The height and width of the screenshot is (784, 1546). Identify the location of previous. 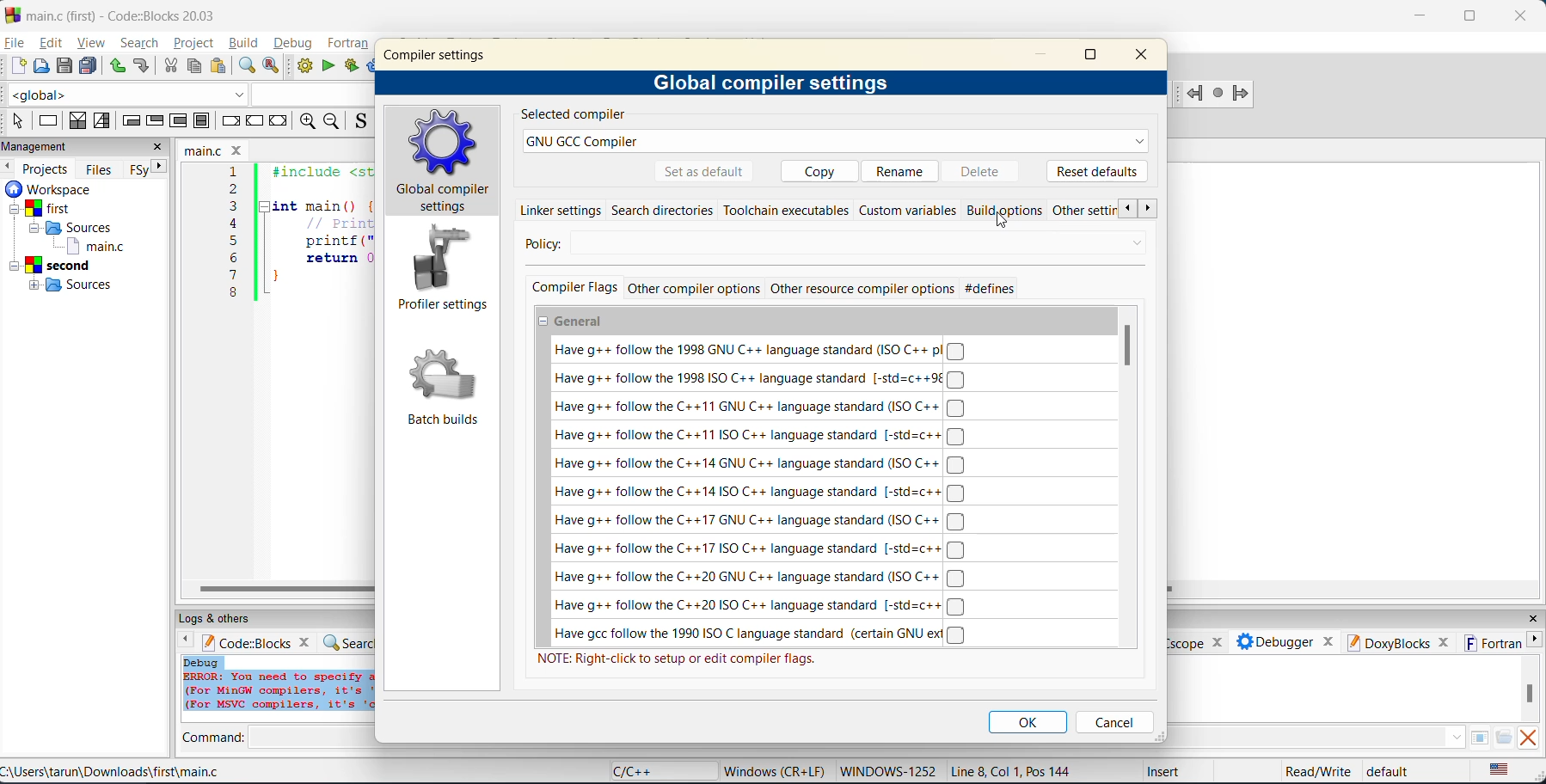
(9, 167).